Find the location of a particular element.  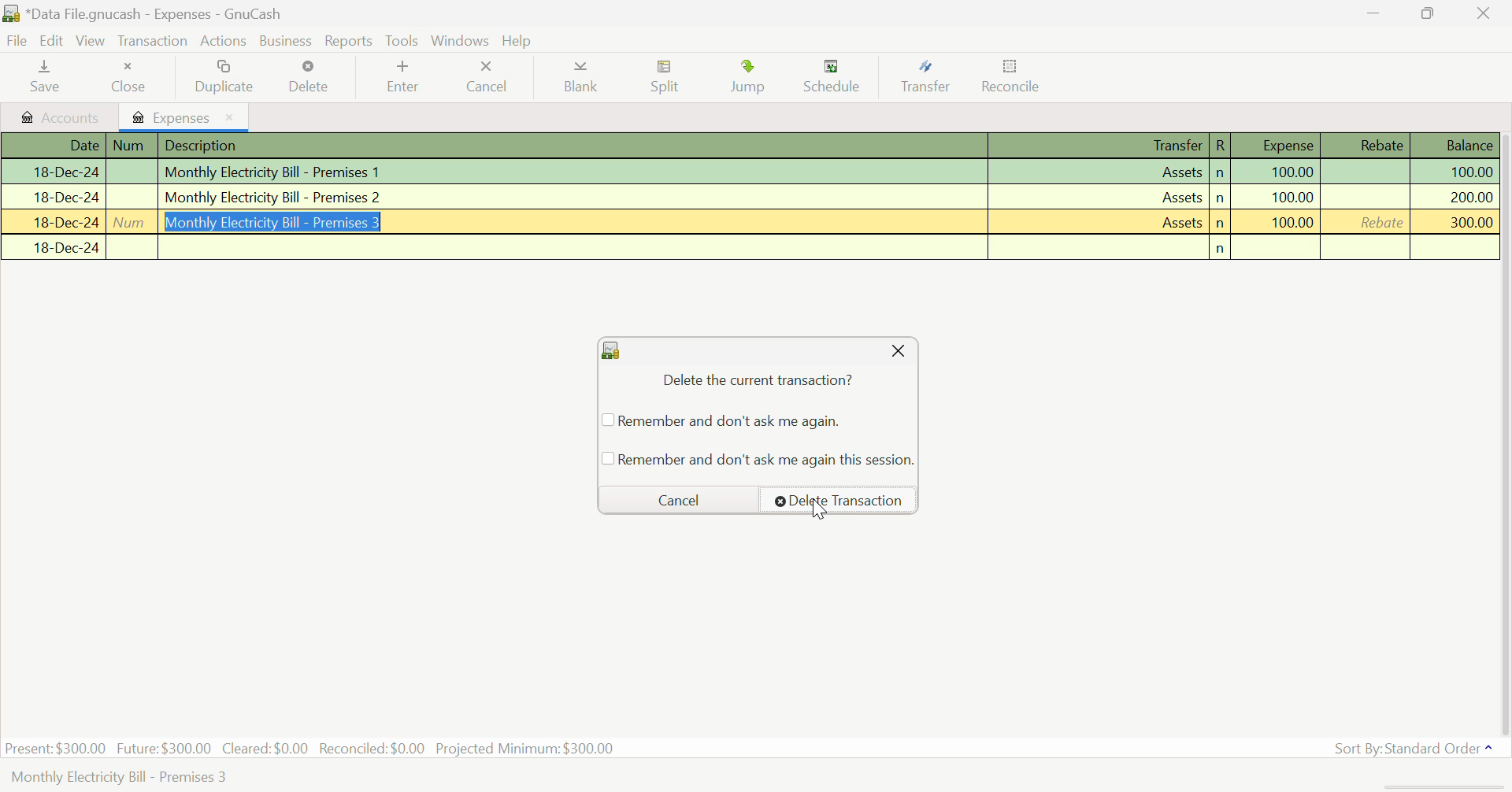

Schedule is located at coordinates (835, 78).